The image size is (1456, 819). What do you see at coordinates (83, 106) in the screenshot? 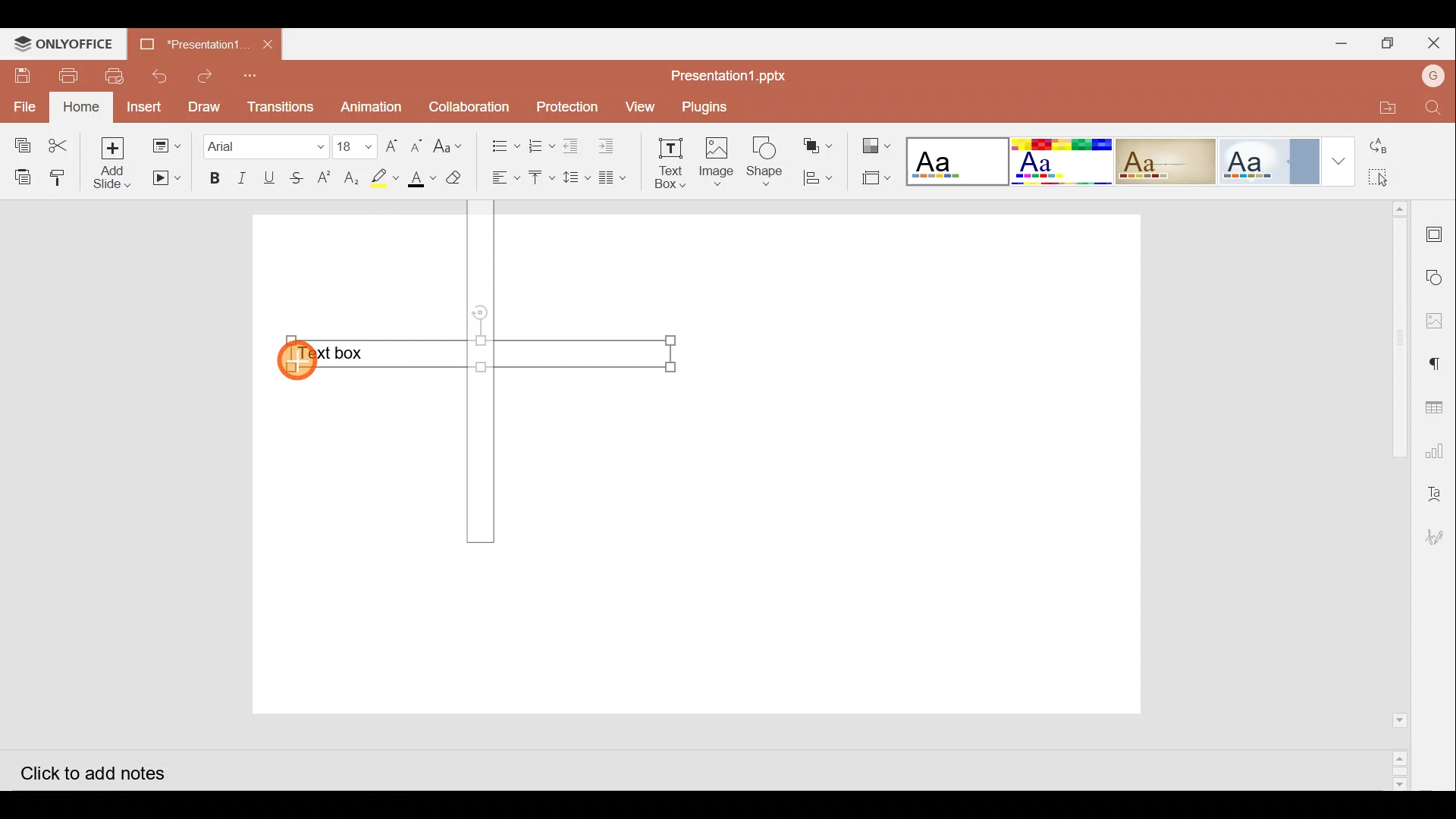
I see `Home` at bounding box center [83, 106].